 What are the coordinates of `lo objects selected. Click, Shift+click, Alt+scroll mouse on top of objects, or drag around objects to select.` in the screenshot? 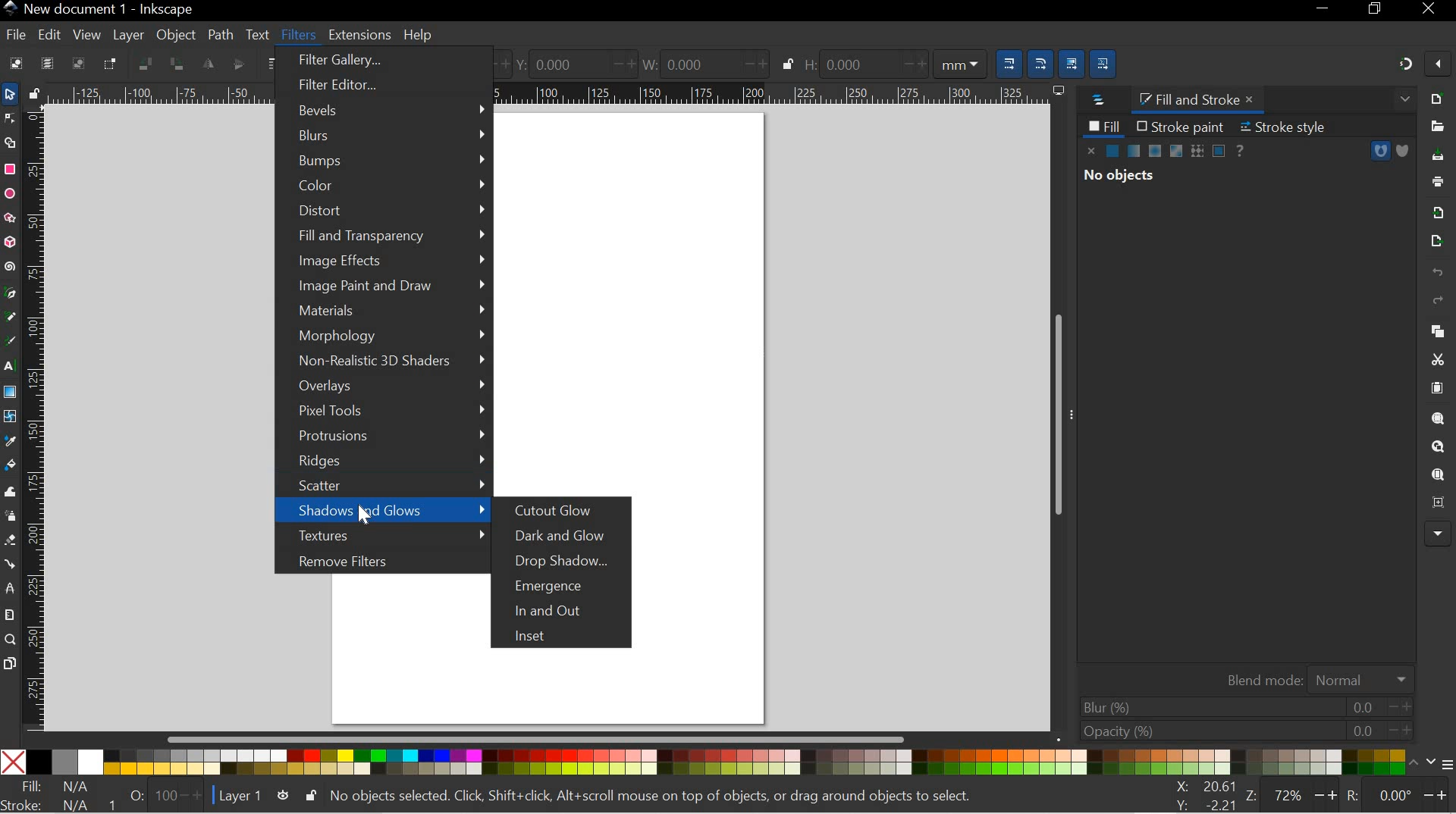 It's located at (656, 797).